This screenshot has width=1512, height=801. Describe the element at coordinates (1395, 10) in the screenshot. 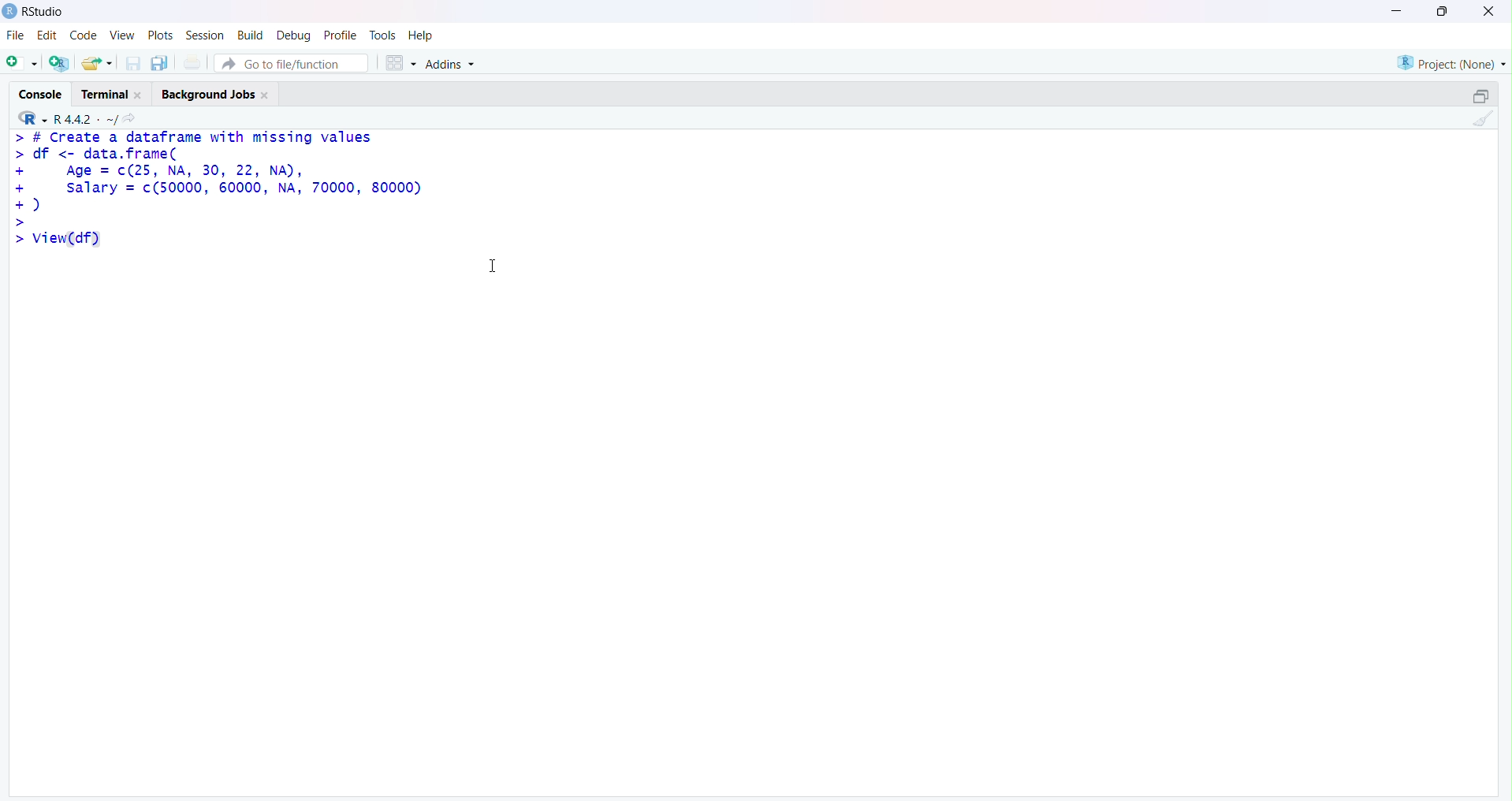

I see `Minimize` at that location.